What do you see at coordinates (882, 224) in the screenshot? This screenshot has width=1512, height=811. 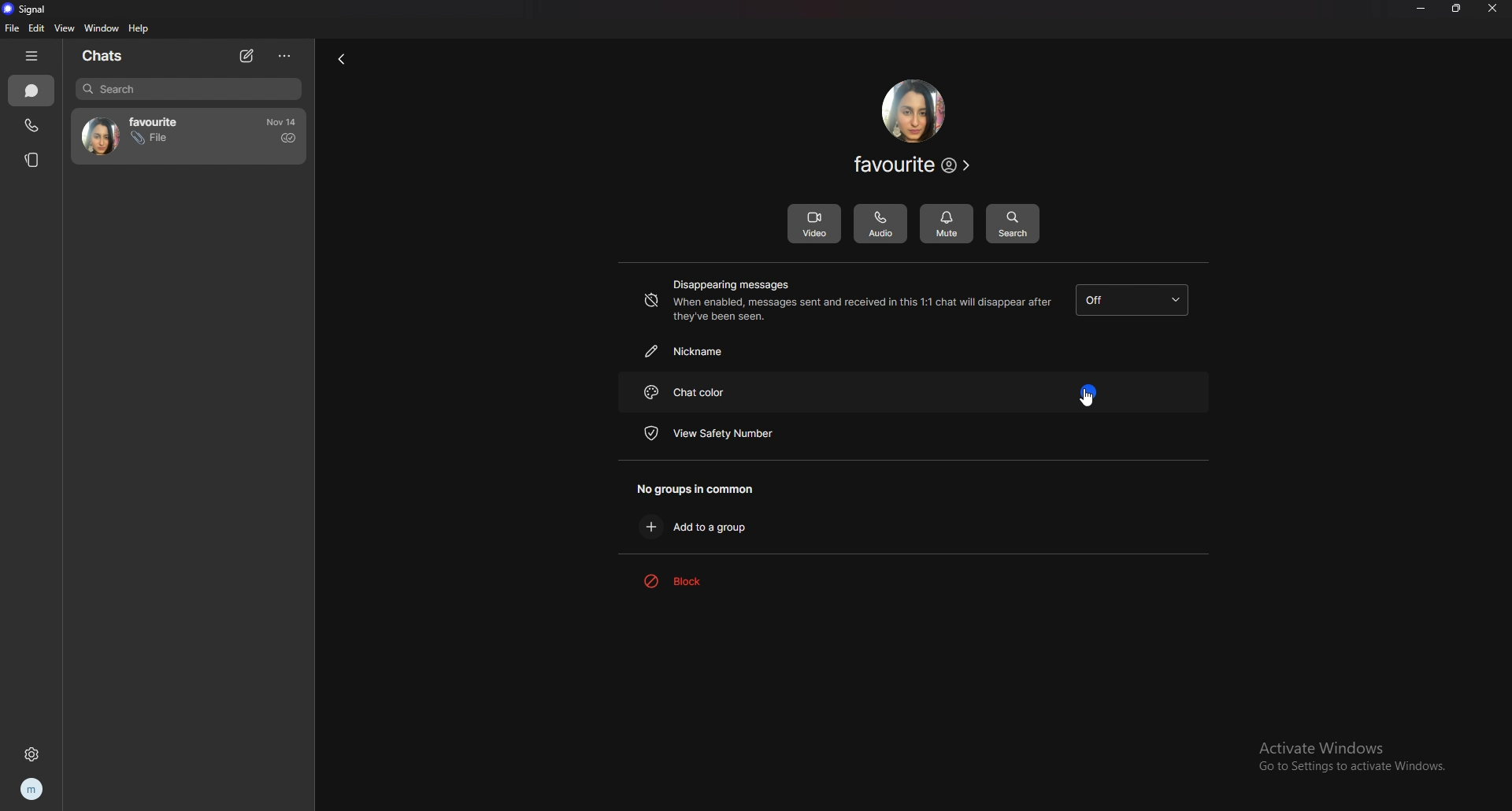 I see `audio call` at bounding box center [882, 224].